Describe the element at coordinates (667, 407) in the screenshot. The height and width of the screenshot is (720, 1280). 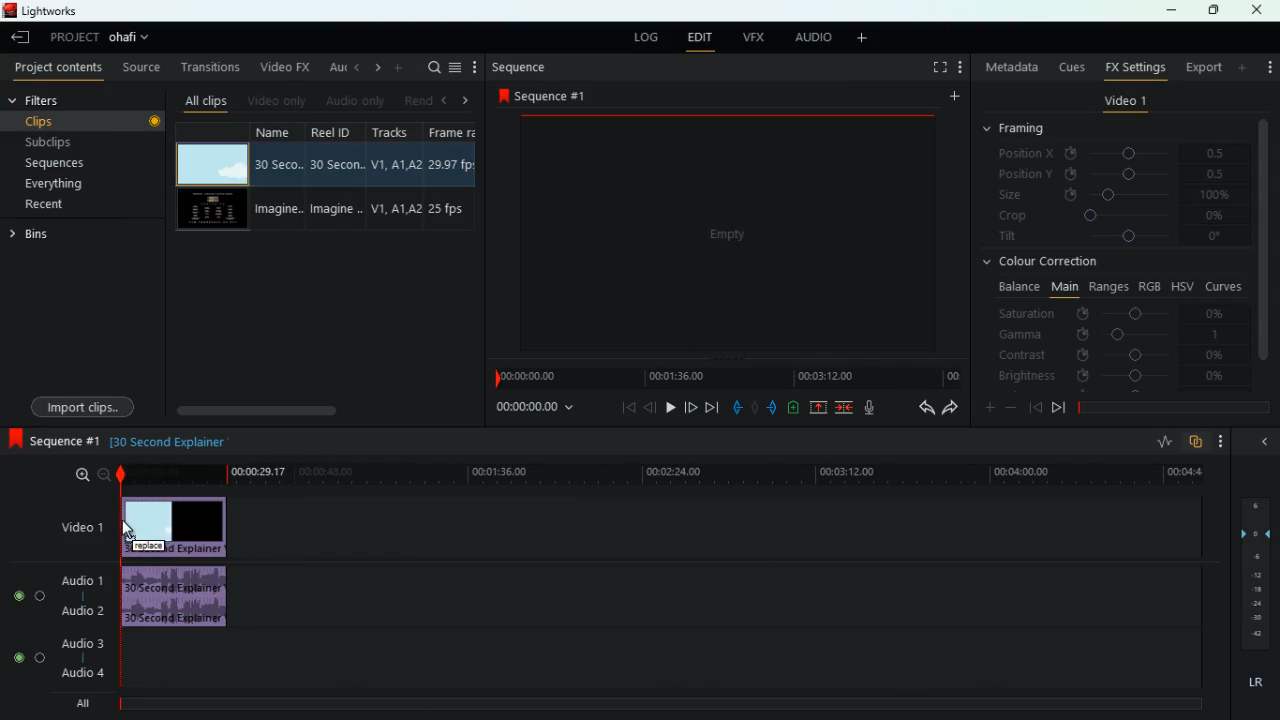
I see `play` at that location.